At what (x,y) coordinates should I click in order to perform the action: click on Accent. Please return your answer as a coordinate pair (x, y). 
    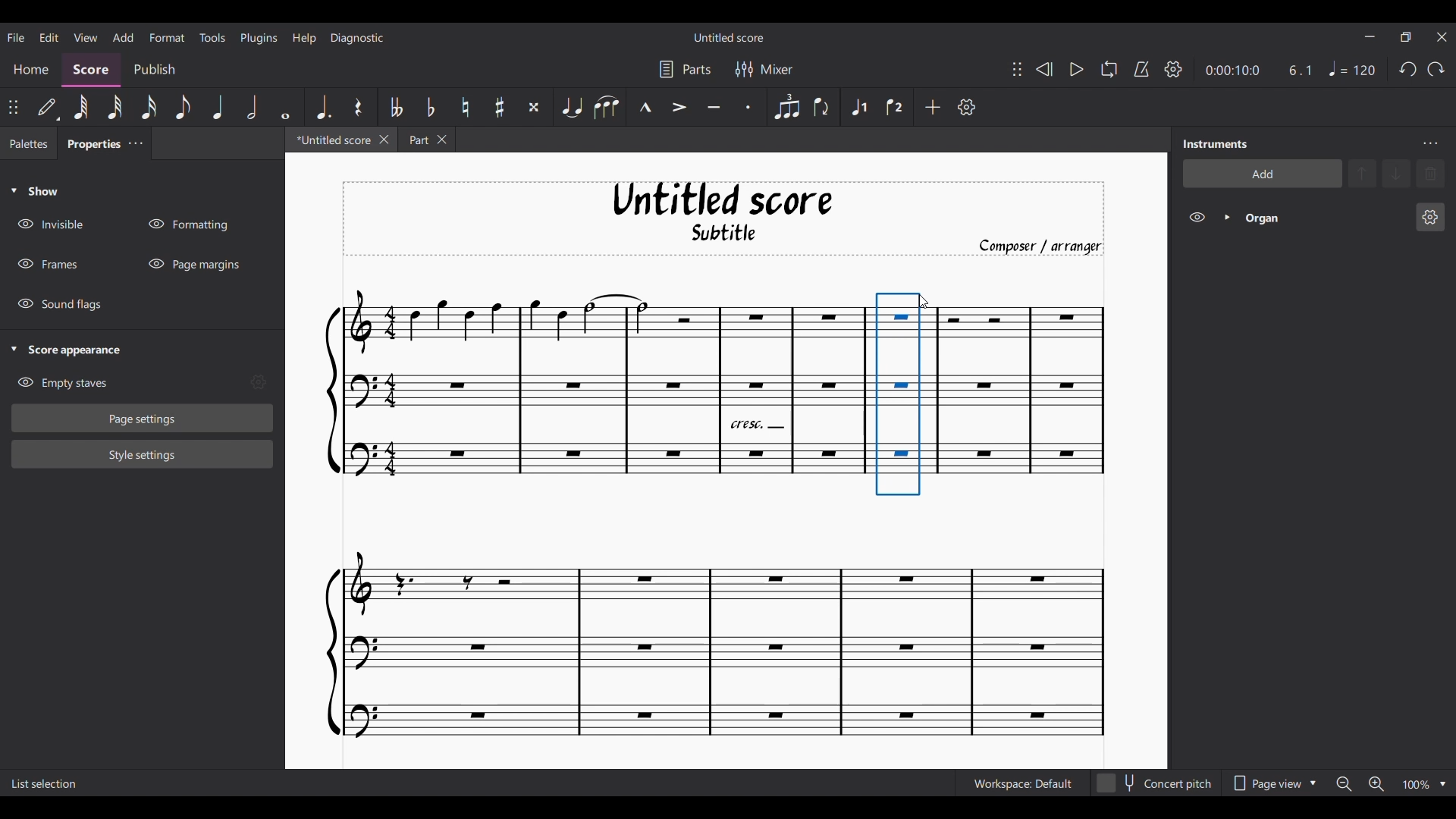
    Looking at the image, I should click on (679, 107).